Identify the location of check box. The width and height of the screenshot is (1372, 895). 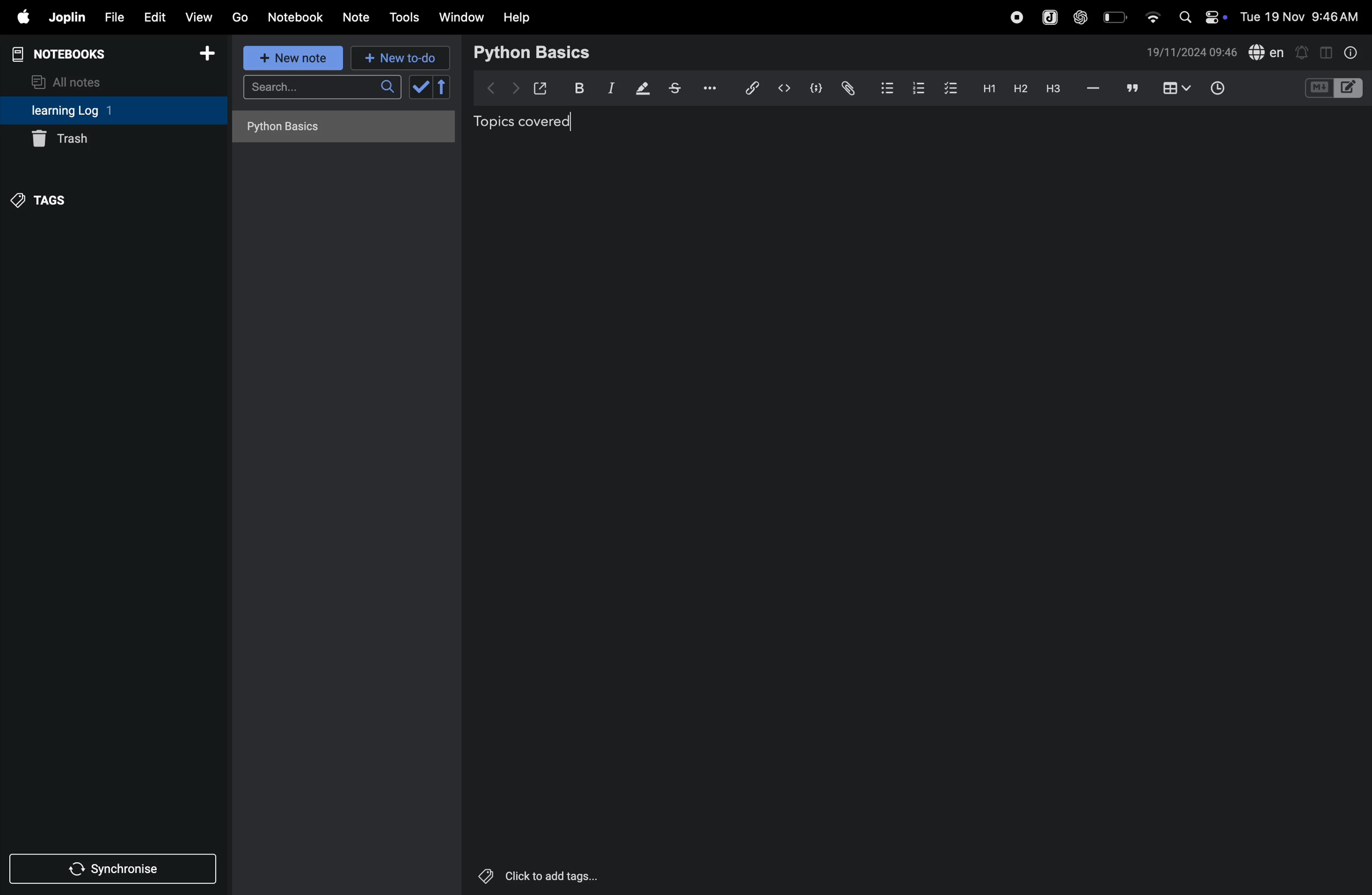
(432, 87).